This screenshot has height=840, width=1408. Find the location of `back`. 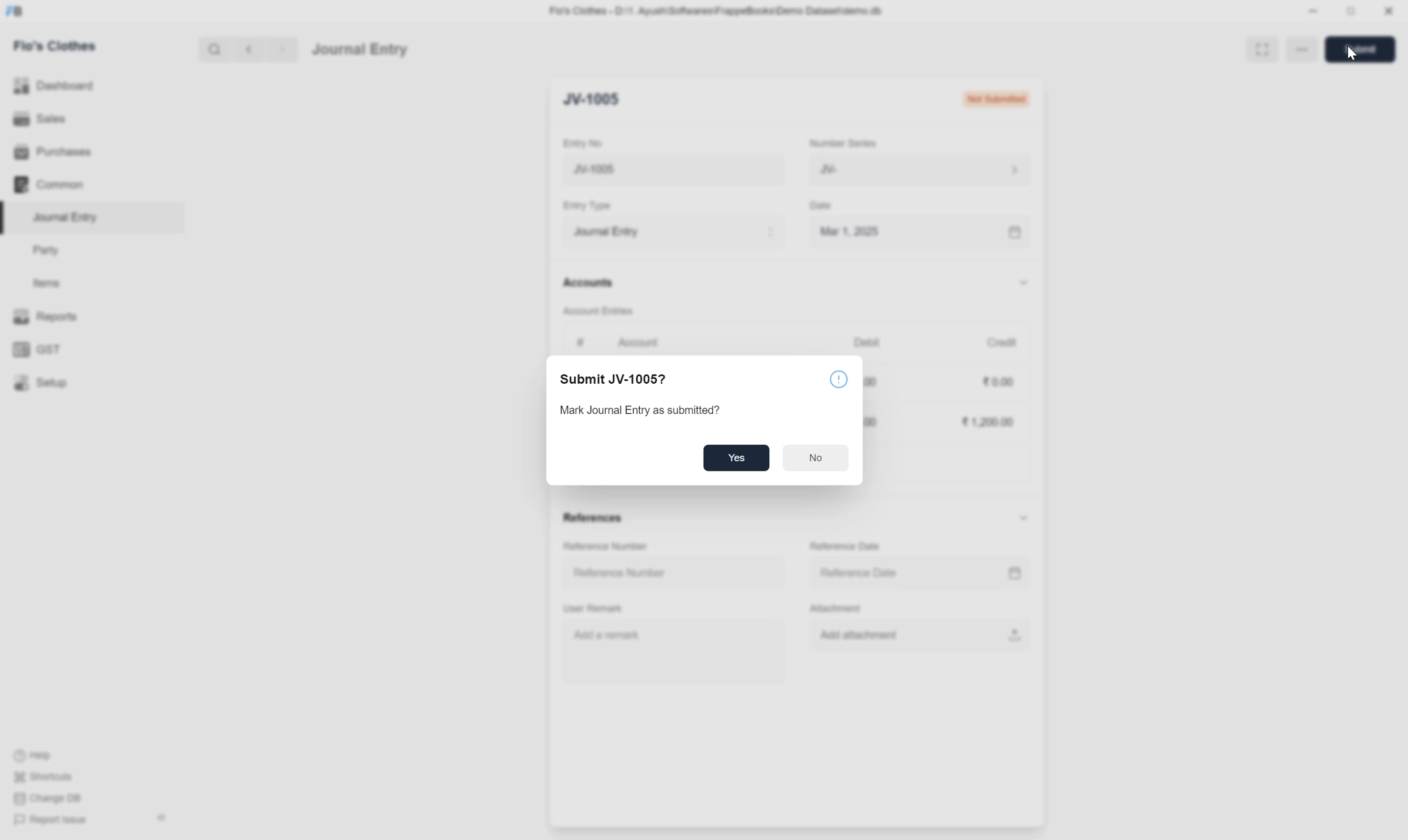

back is located at coordinates (246, 49).